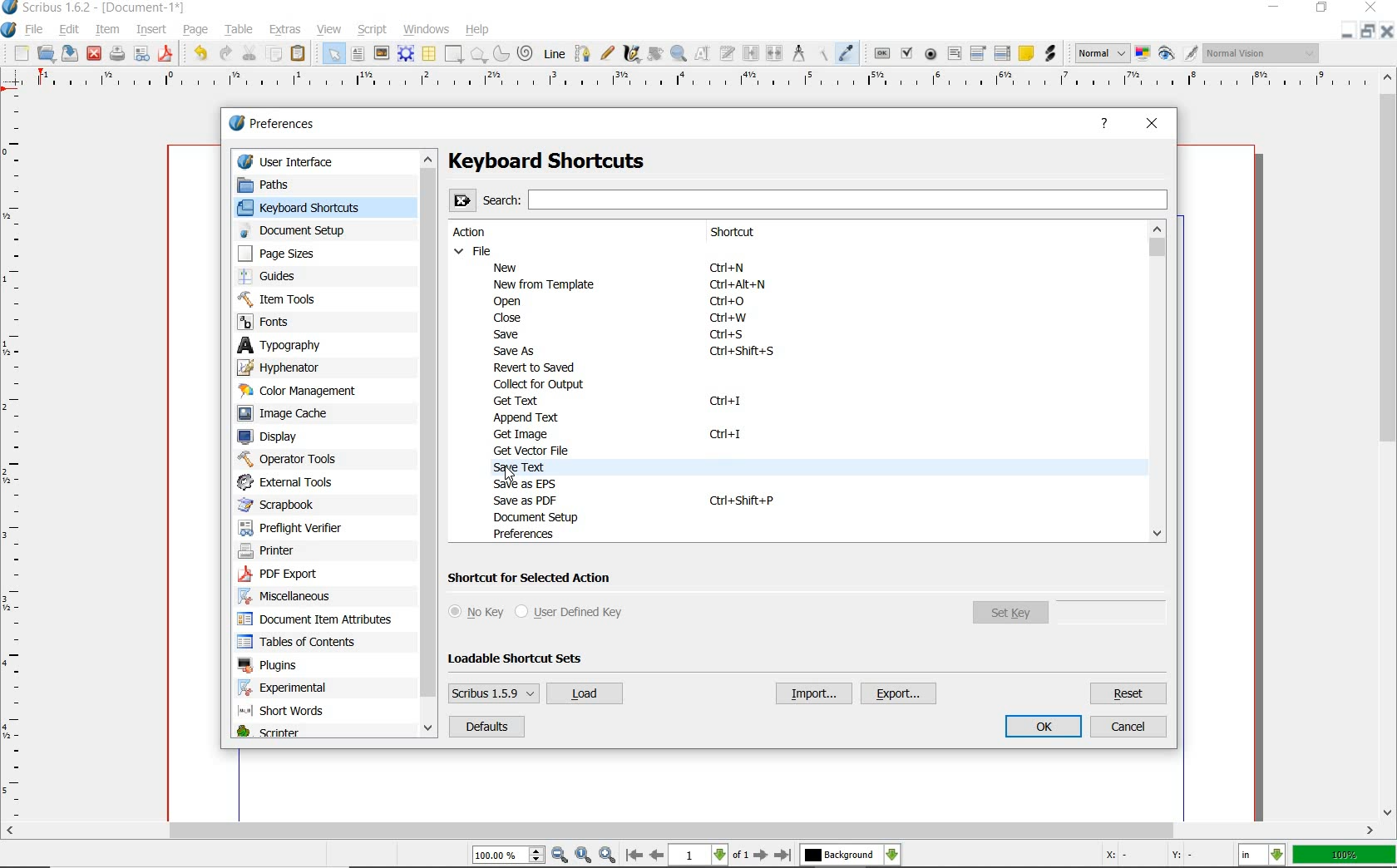 Image resolution: width=1397 pixels, height=868 pixels. I want to click on zoom factor, so click(1345, 856).